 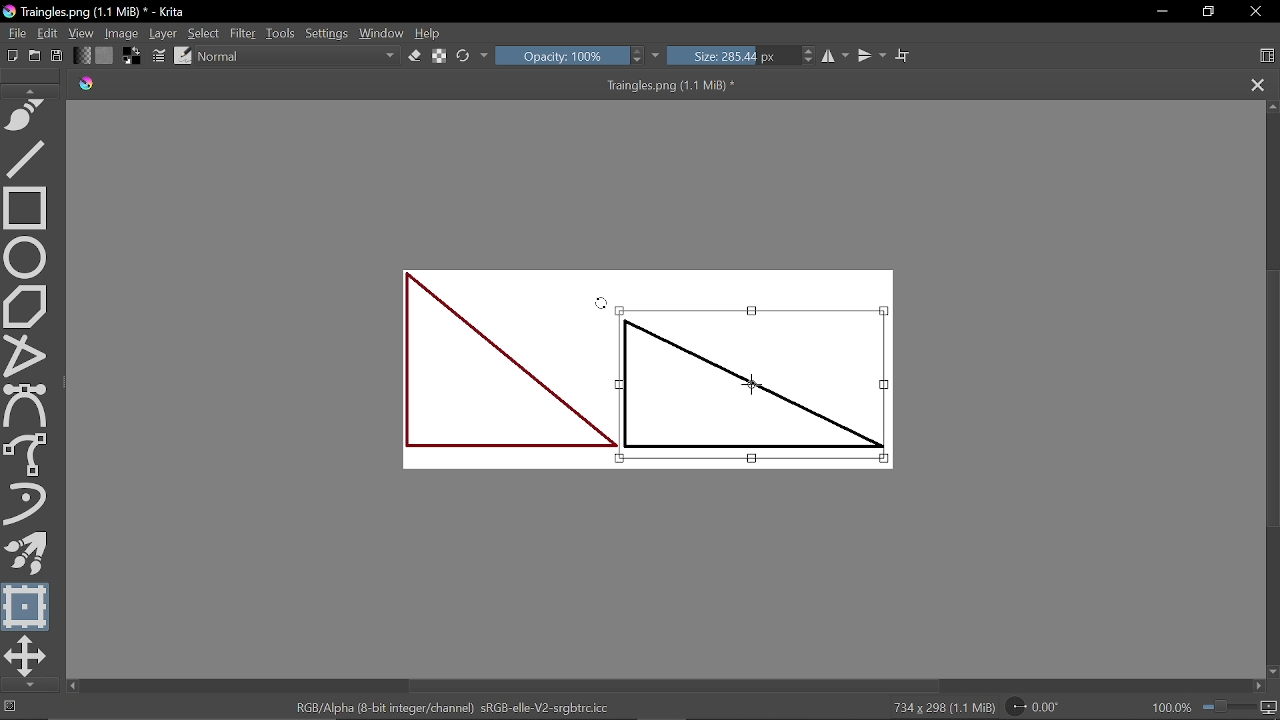 What do you see at coordinates (48, 34) in the screenshot?
I see `Edit` at bounding box center [48, 34].